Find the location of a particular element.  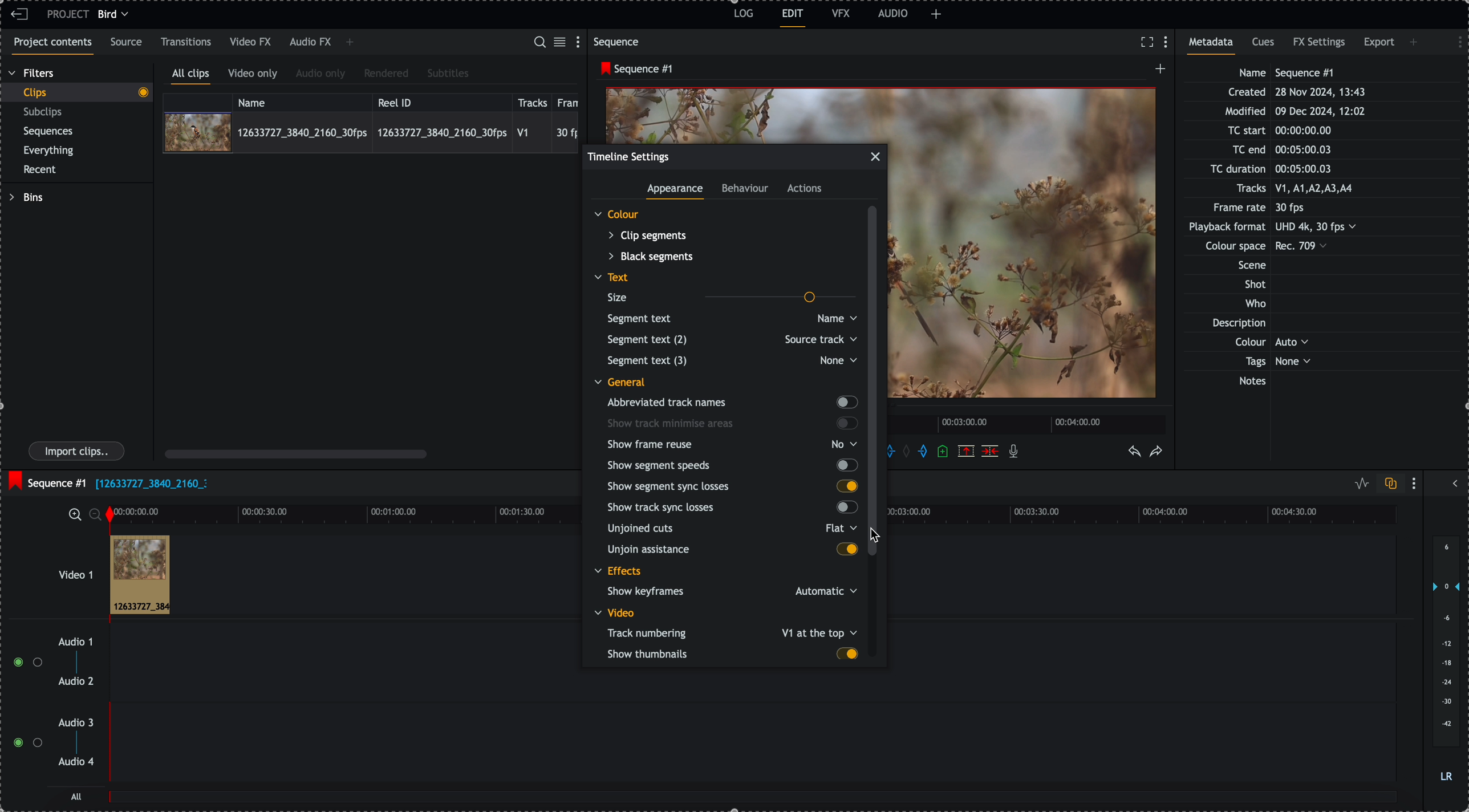

audio 3 is located at coordinates (79, 723).